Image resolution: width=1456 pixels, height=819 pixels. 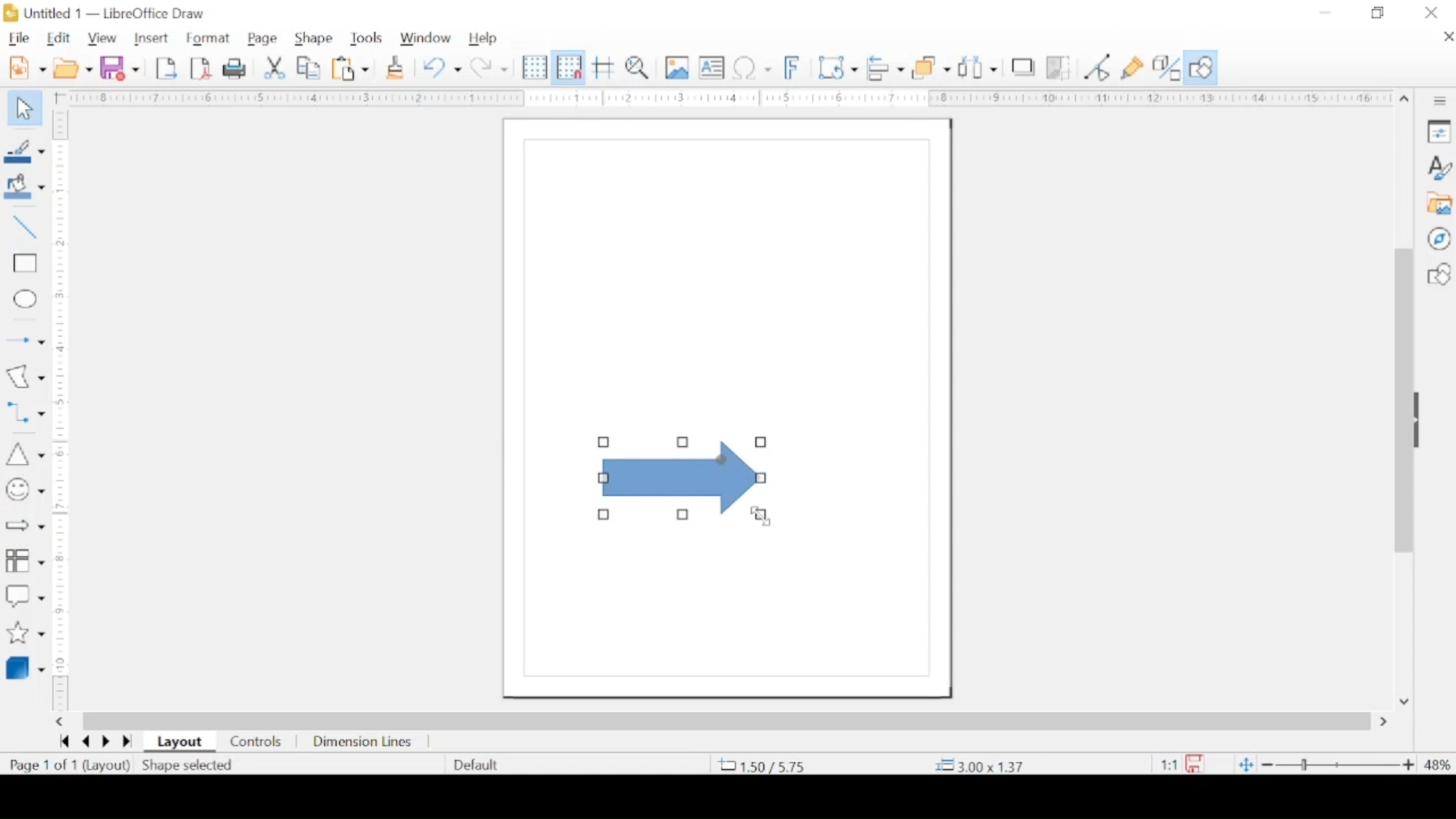 What do you see at coordinates (350, 67) in the screenshot?
I see `paste` at bounding box center [350, 67].